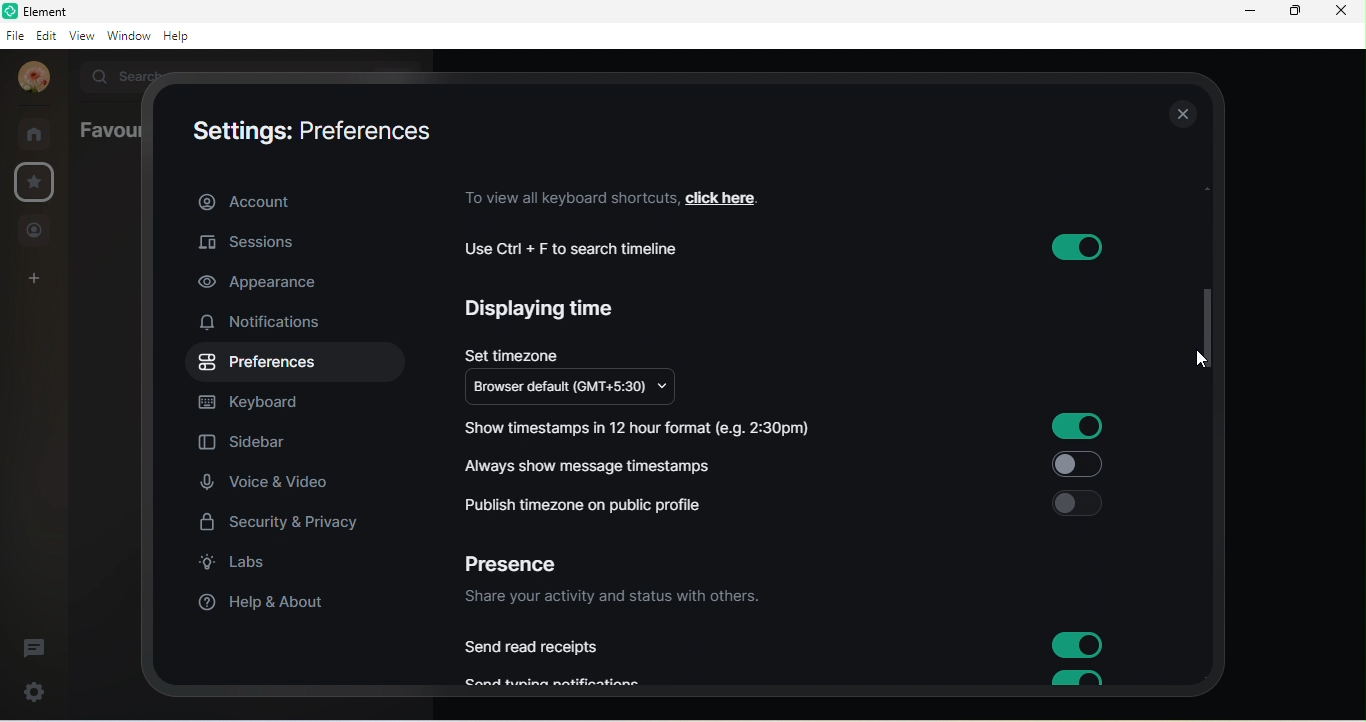 The width and height of the screenshot is (1366, 722). What do you see at coordinates (37, 230) in the screenshot?
I see `people` at bounding box center [37, 230].